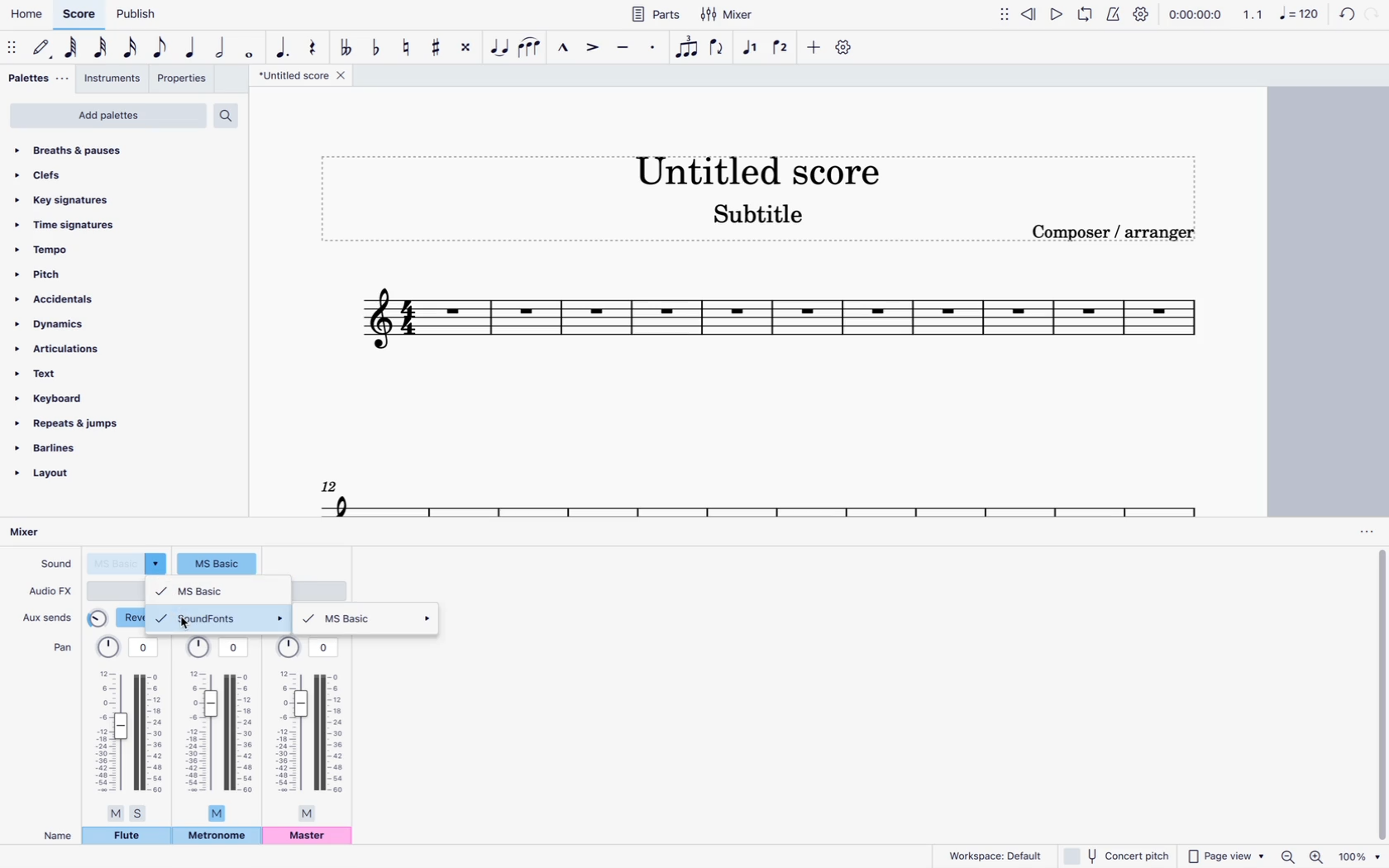 The image size is (1389, 868). I want to click on add palettes, so click(107, 117).